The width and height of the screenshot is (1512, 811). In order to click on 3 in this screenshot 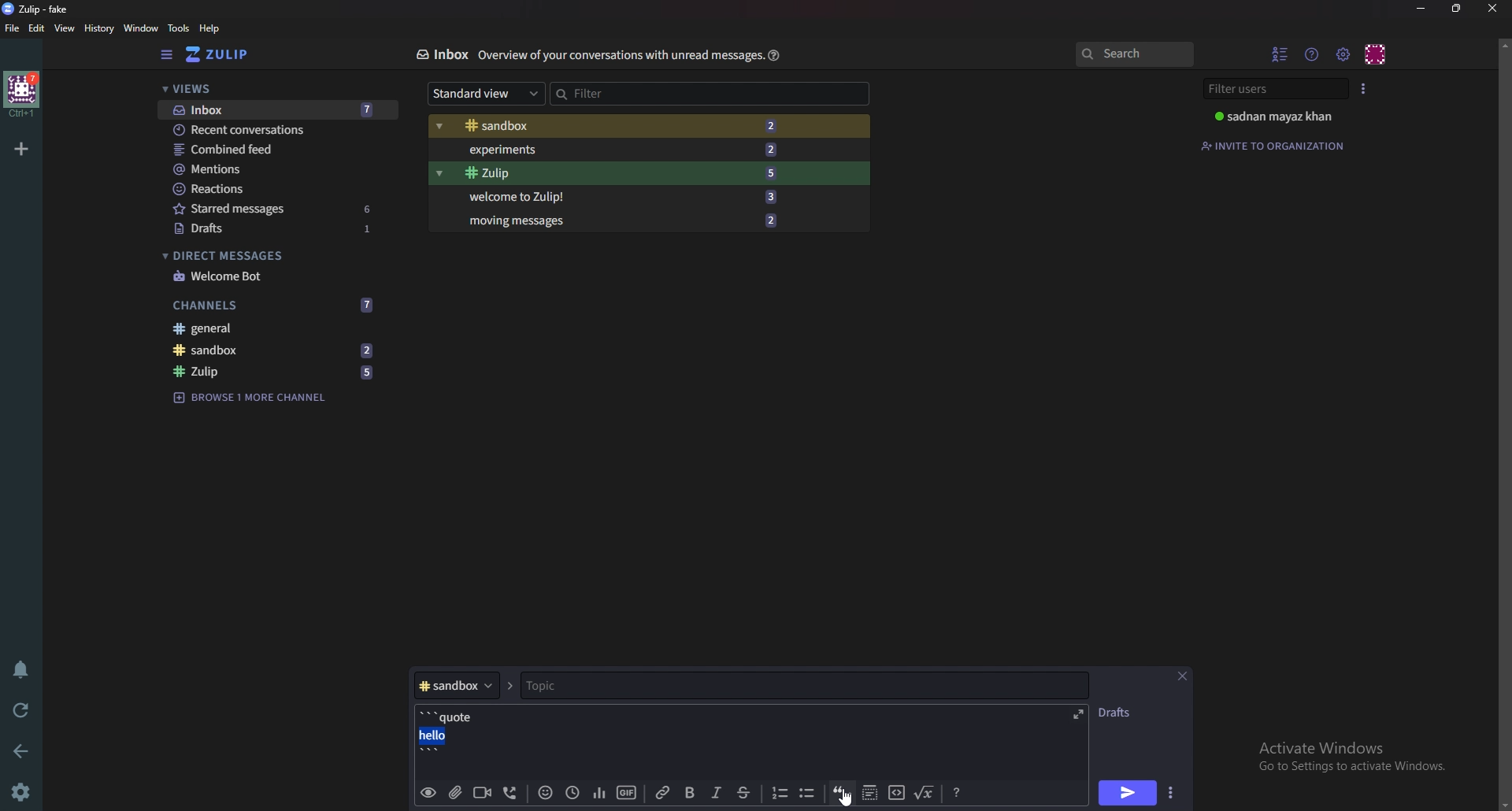, I will do `click(777, 198)`.